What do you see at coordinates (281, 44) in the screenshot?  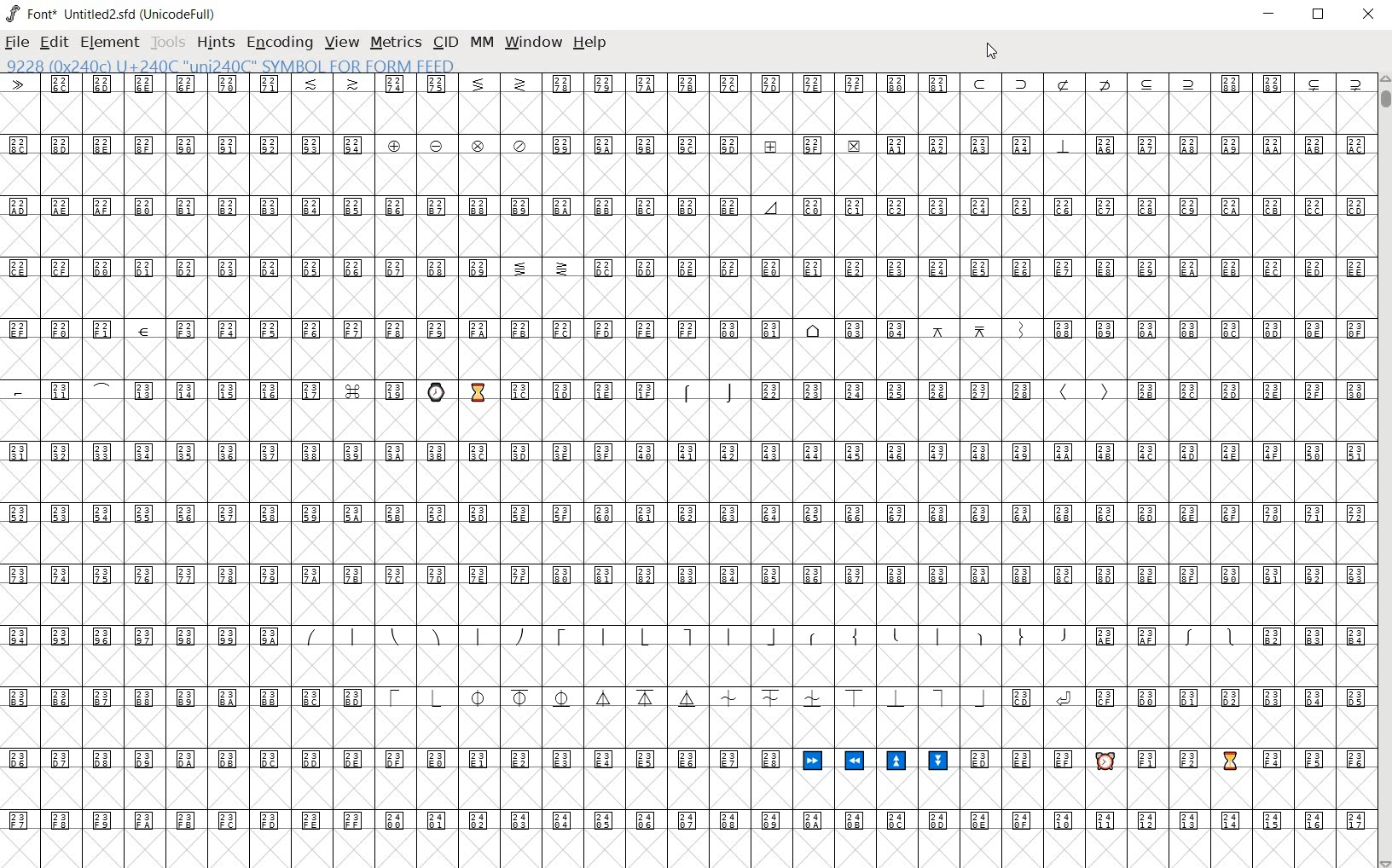 I see `encoding` at bounding box center [281, 44].